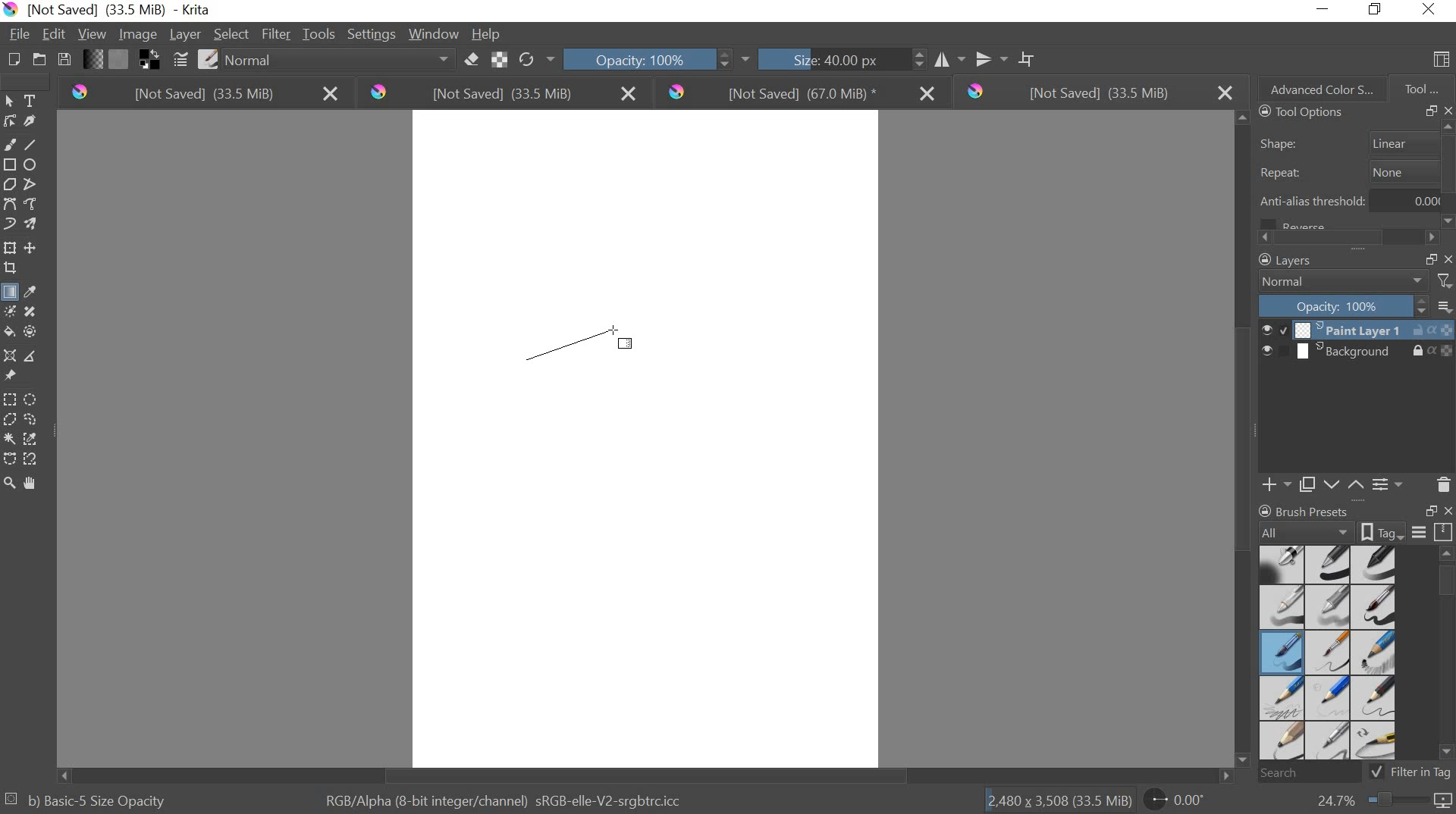  I want to click on OPACITY, so click(1345, 305).